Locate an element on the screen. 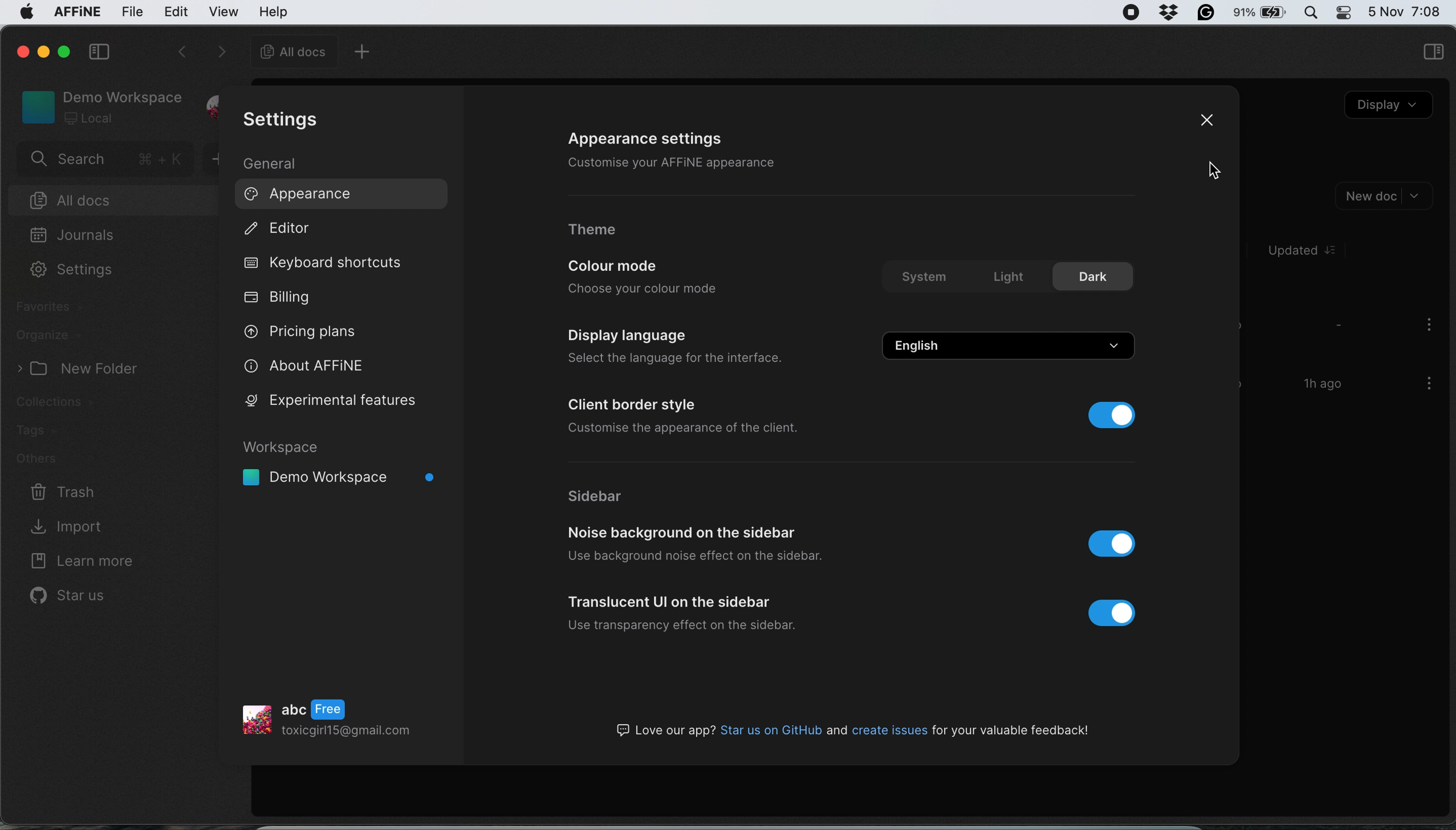 The image size is (1456, 830). display is located at coordinates (1384, 104).